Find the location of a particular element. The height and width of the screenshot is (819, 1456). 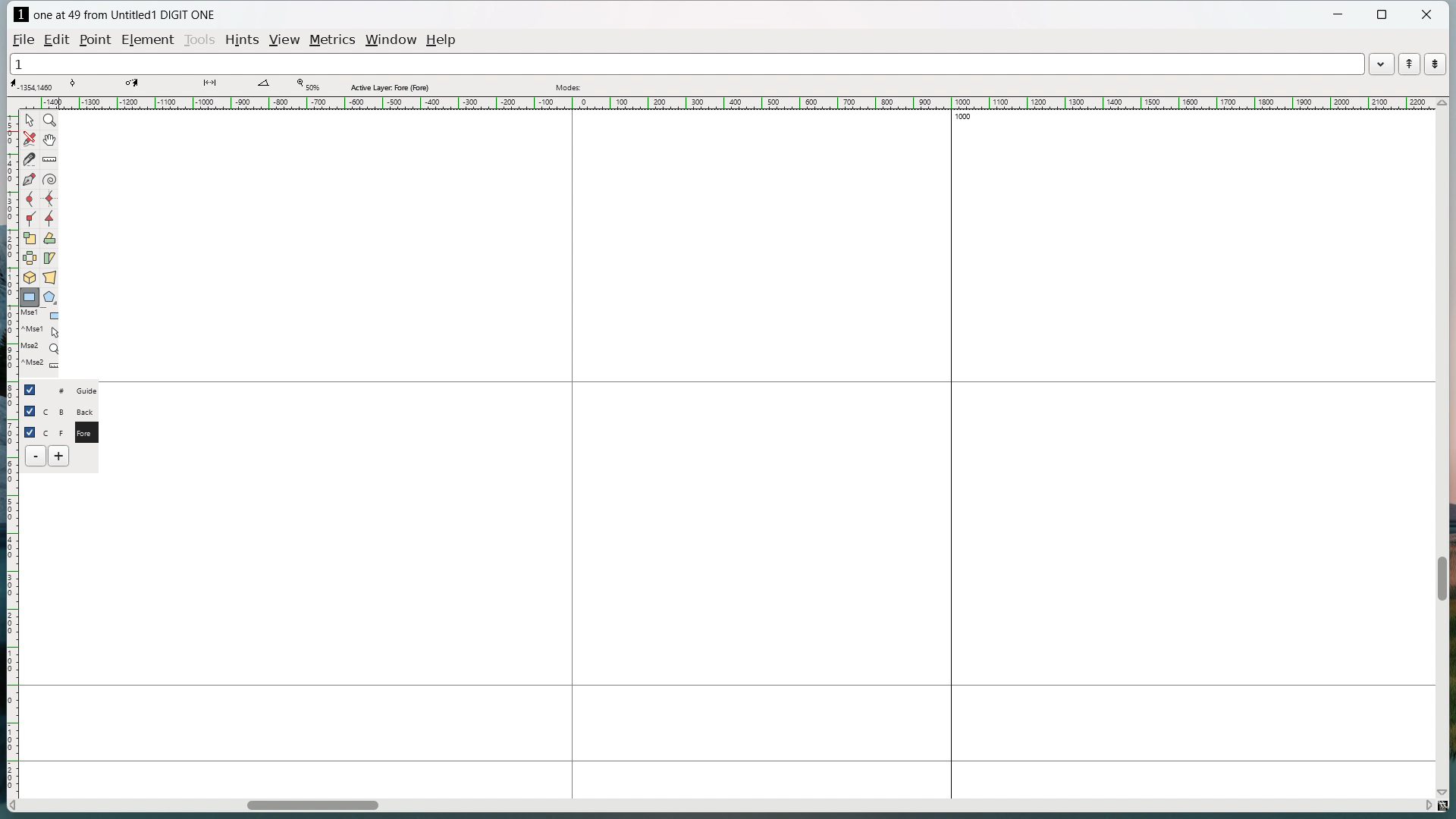

cursor coordinate is located at coordinates (31, 85).